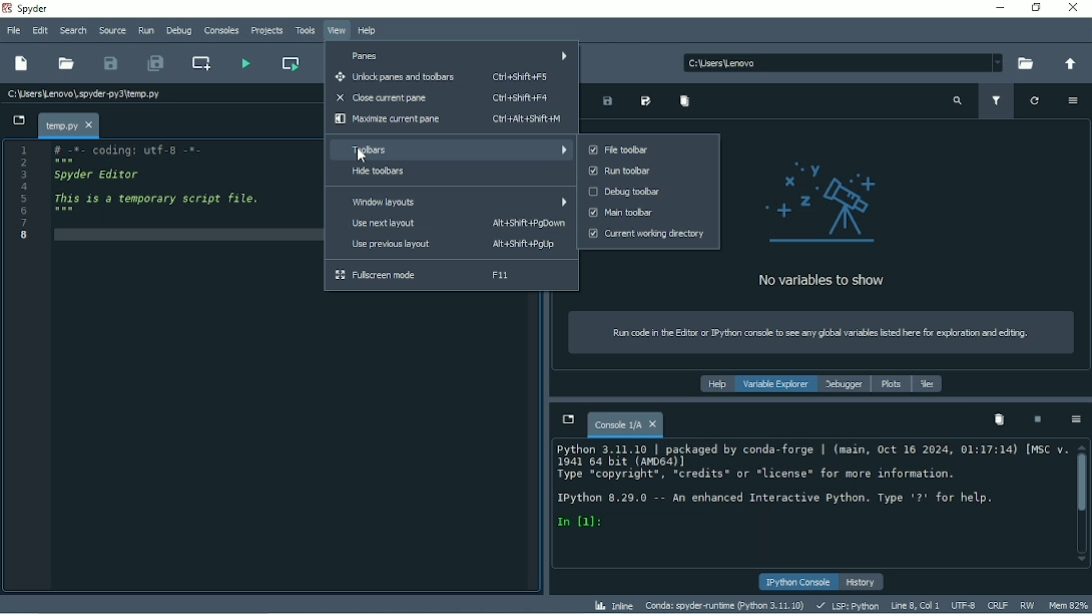 The width and height of the screenshot is (1092, 614). Describe the element at coordinates (292, 63) in the screenshot. I see `Run current cell` at that location.